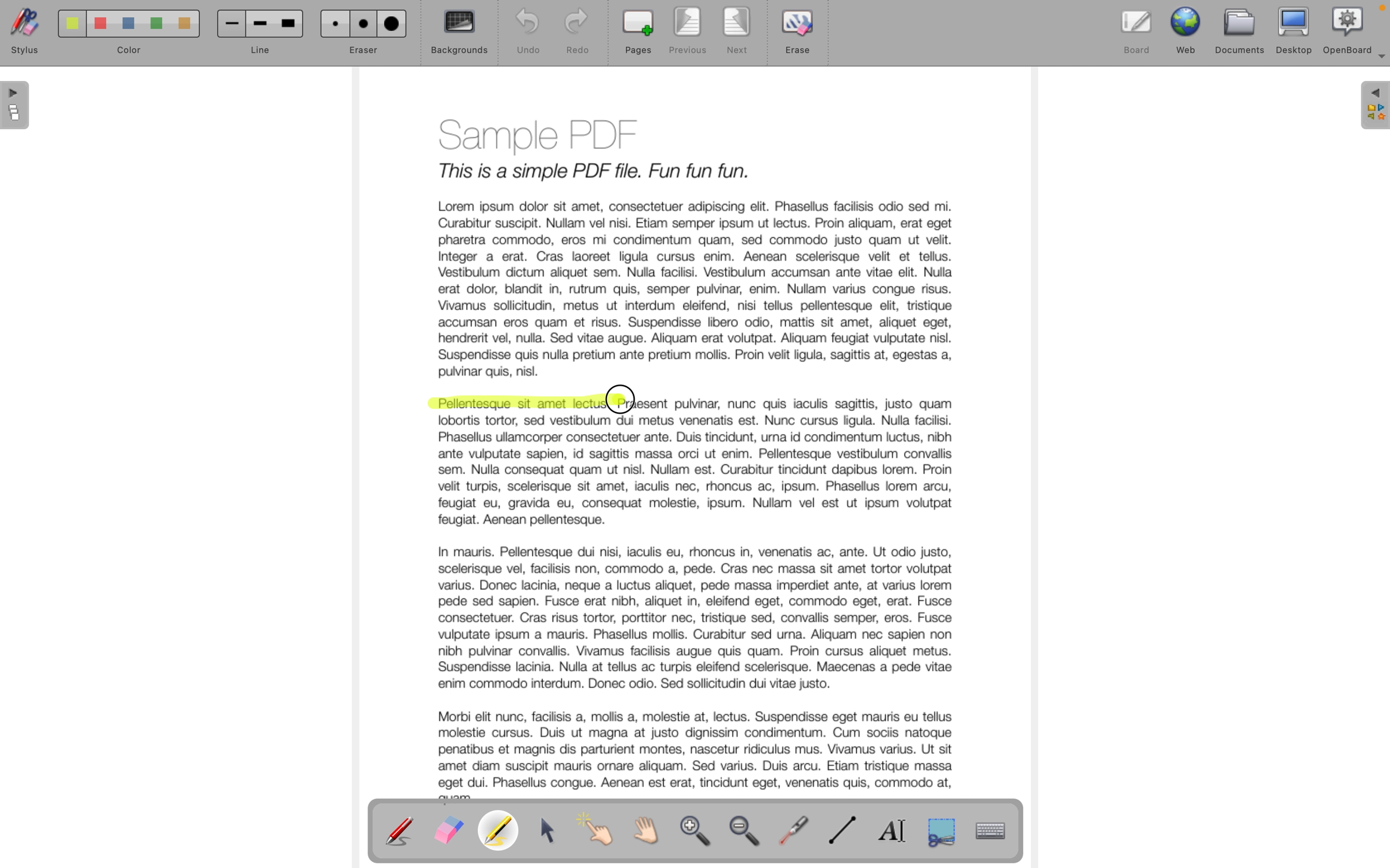  I want to click on select, so click(550, 831).